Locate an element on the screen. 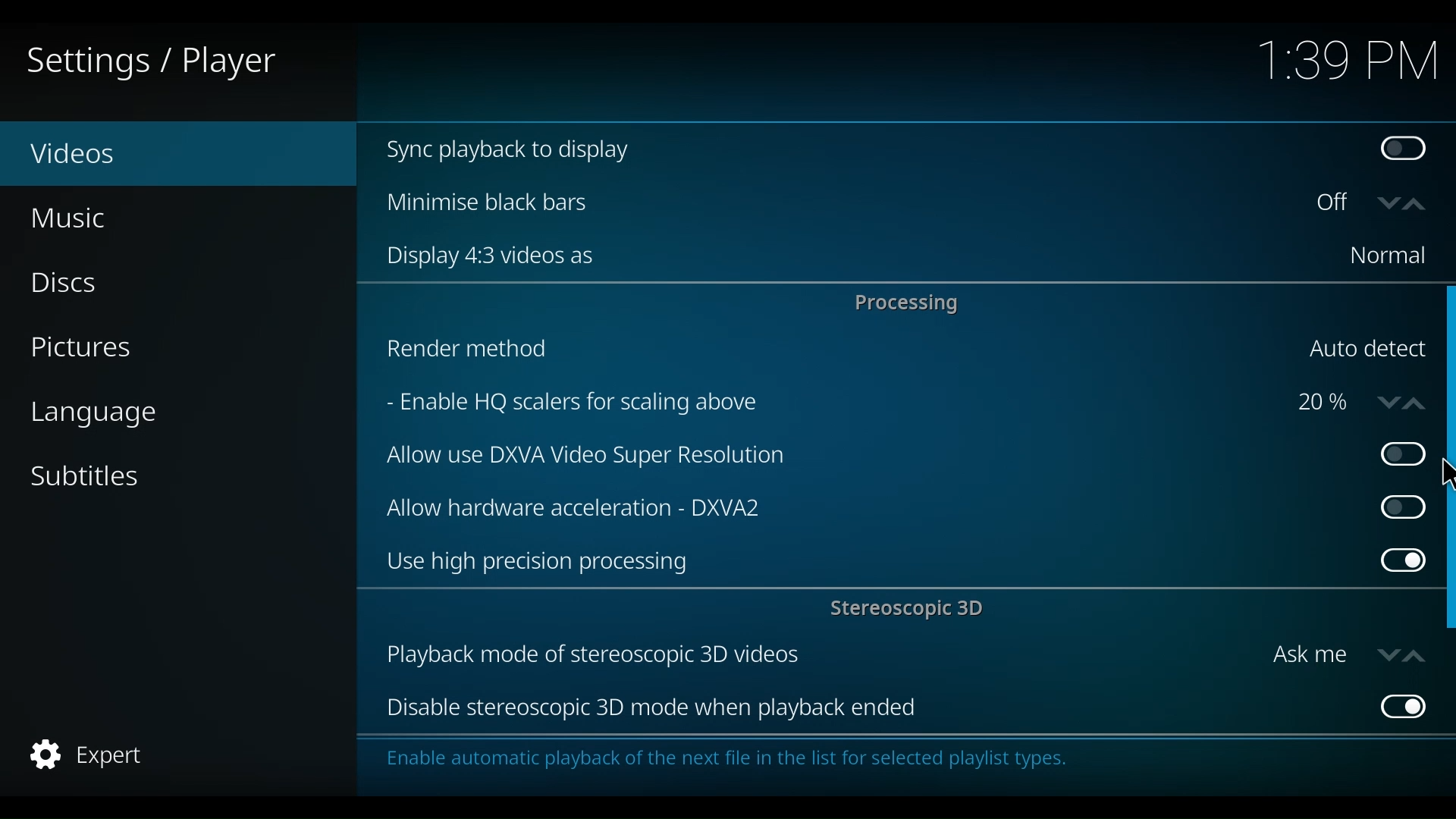  up is located at coordinates (1413, 654).